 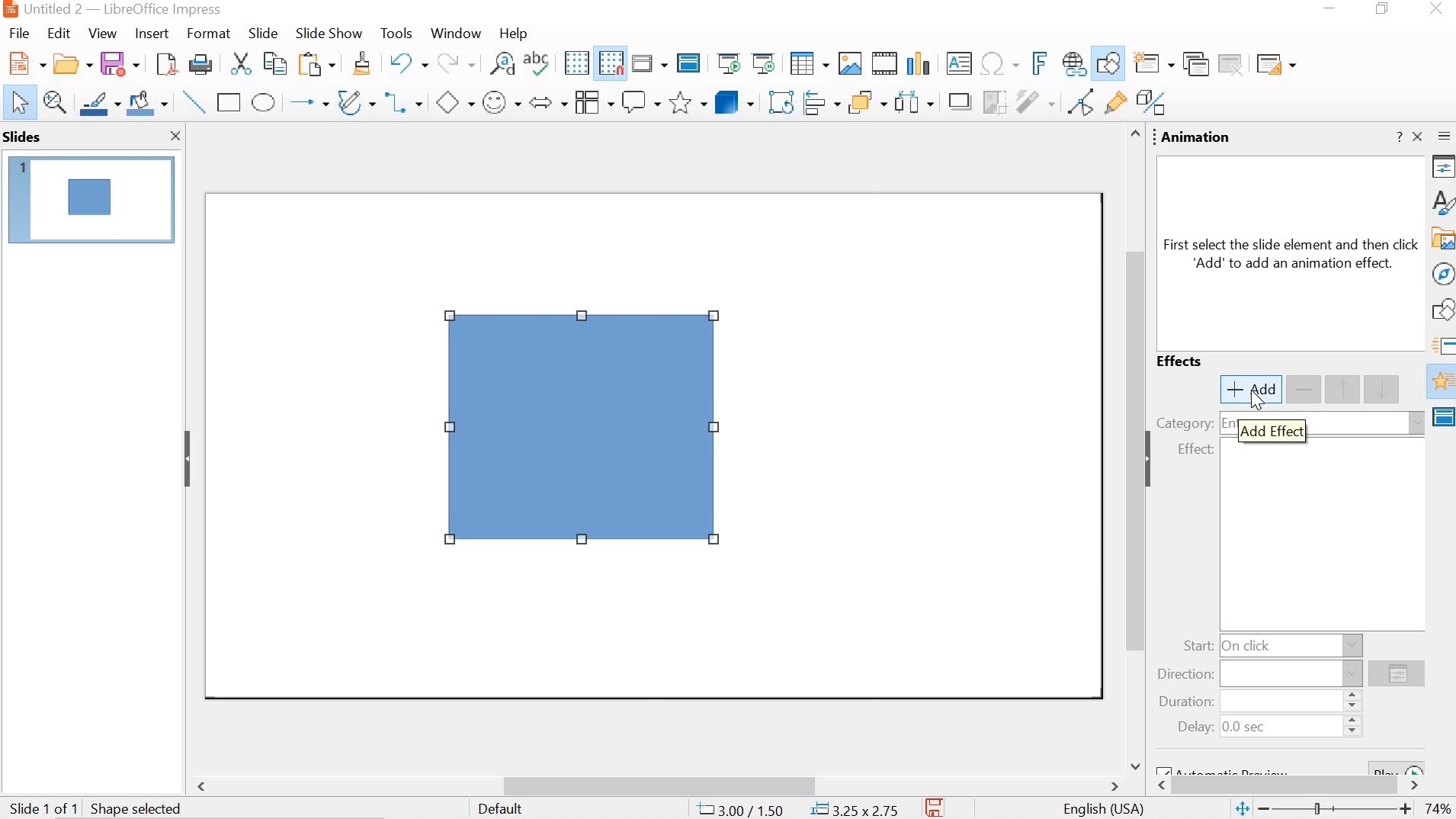 I want to click on slides, so click(x=24, y=137).